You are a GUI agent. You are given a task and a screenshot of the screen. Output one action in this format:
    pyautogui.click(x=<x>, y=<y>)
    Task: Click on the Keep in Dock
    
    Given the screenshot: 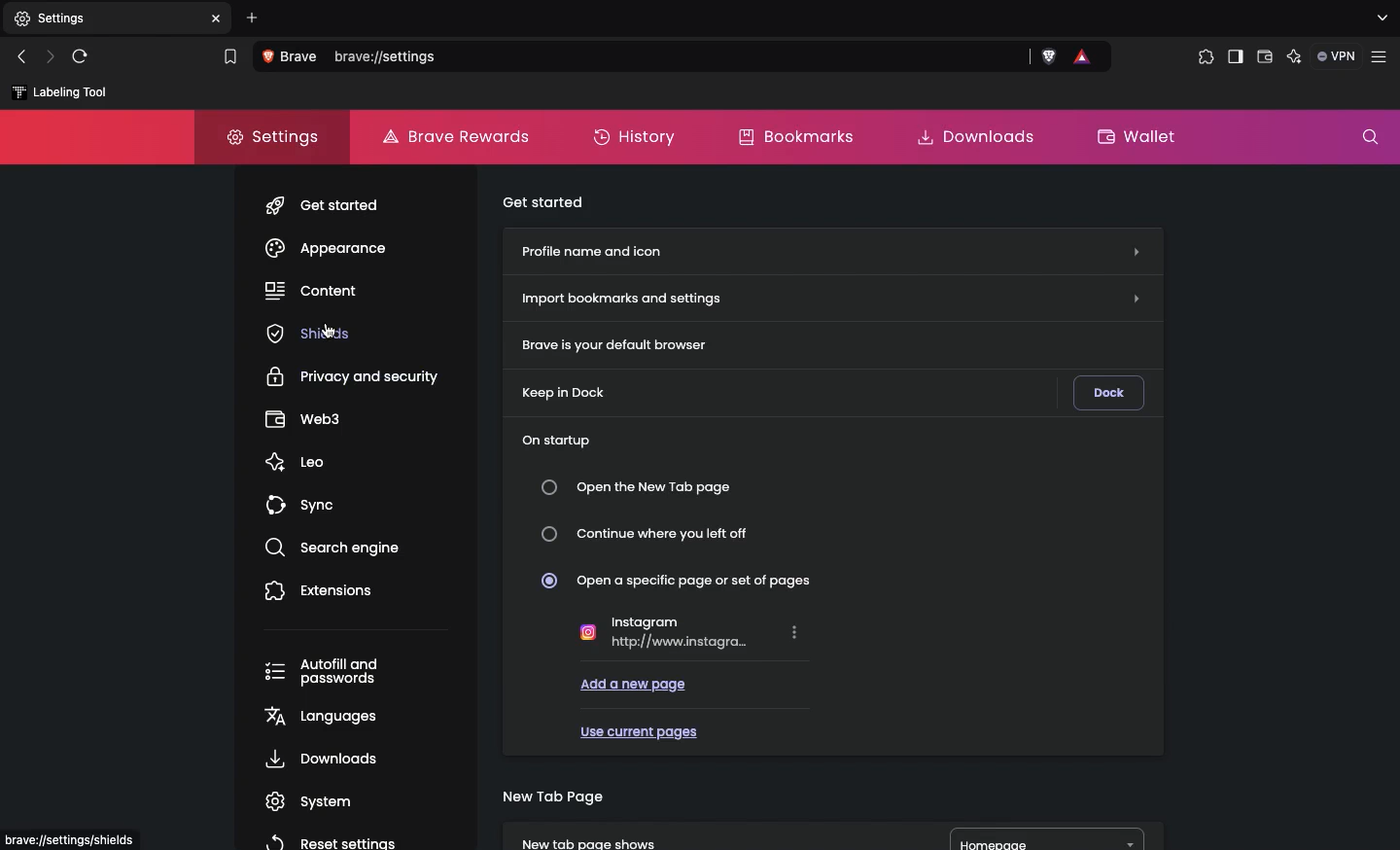 What is the action you would take?
    pyautogui.click(x=571, y=393)
    